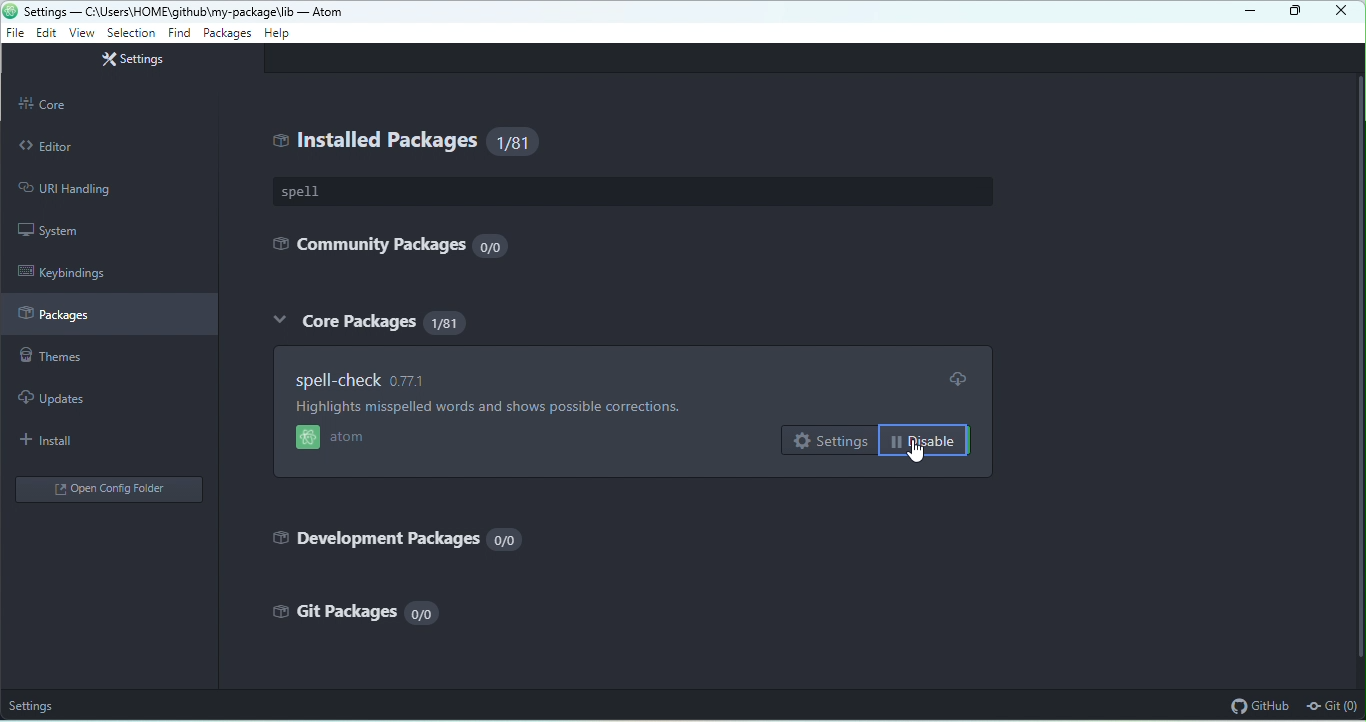 The height and width of the screenshot is (722, 1366). Describe the element at coordinates (72, 357) in the screenshot. I see `themes` at that location.